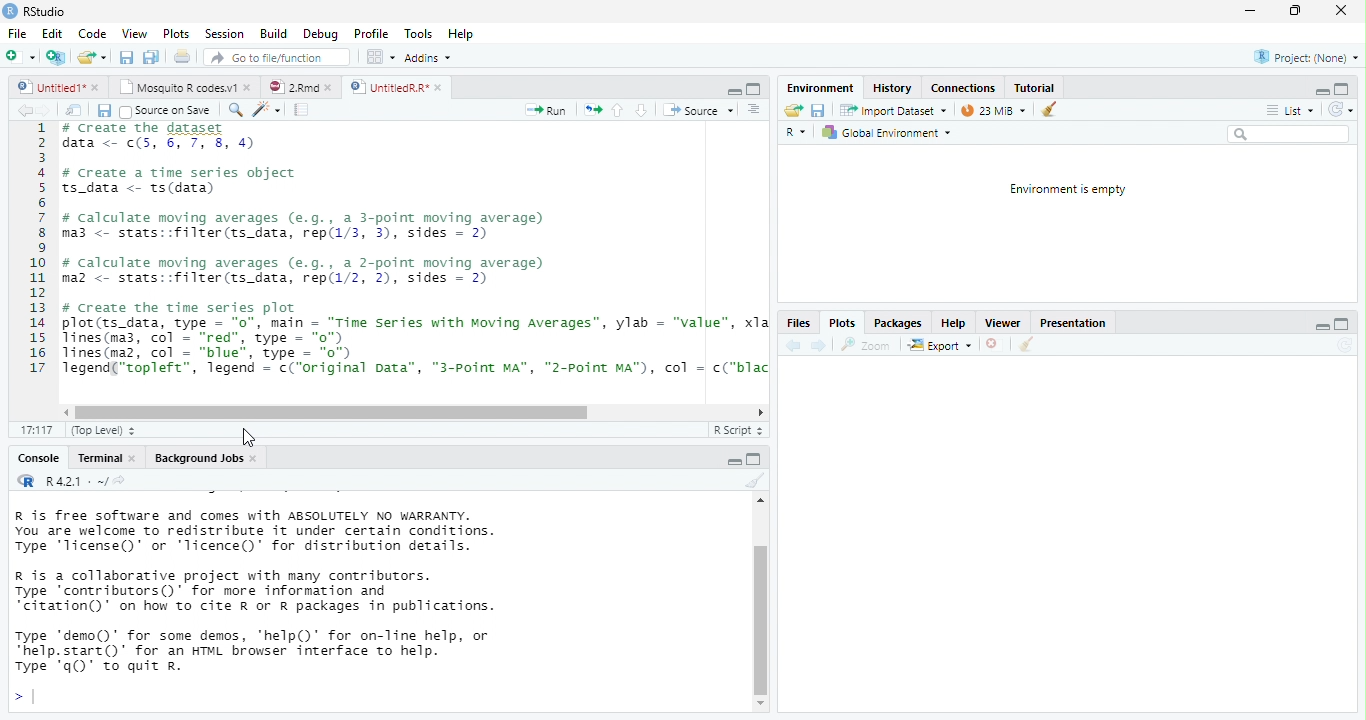 The width and height of the screenshot is (1366, 720). Describe the element at coordinates (164, 111) in the screenshot. I see `Source on Save` at that location.